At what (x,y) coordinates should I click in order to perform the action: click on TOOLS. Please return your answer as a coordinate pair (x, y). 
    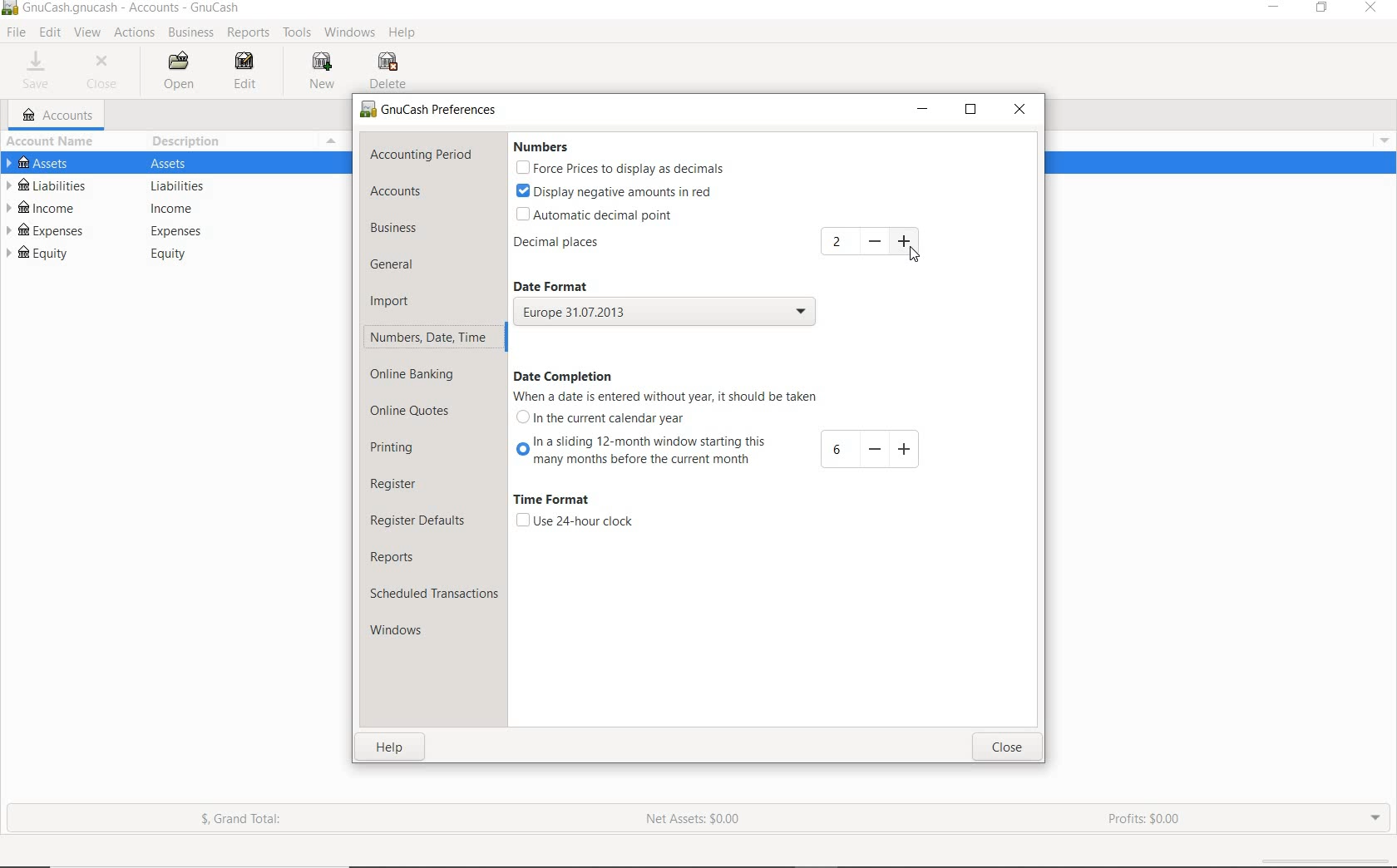
    Looking at the image, I should click on (299, 33).